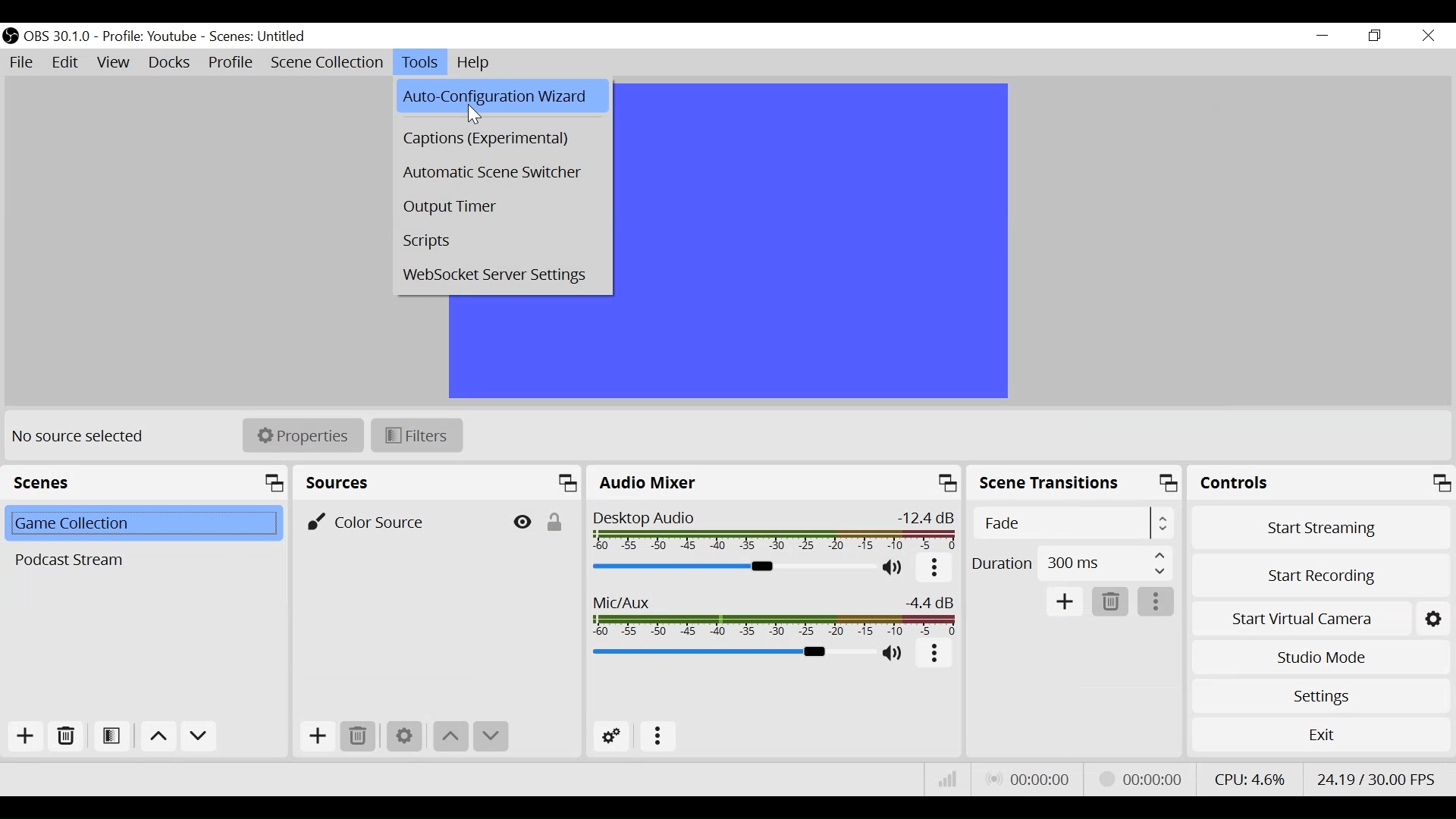 The width and height of the screenshot is (1456, 819). I want to click on more options, so click(934, 654).